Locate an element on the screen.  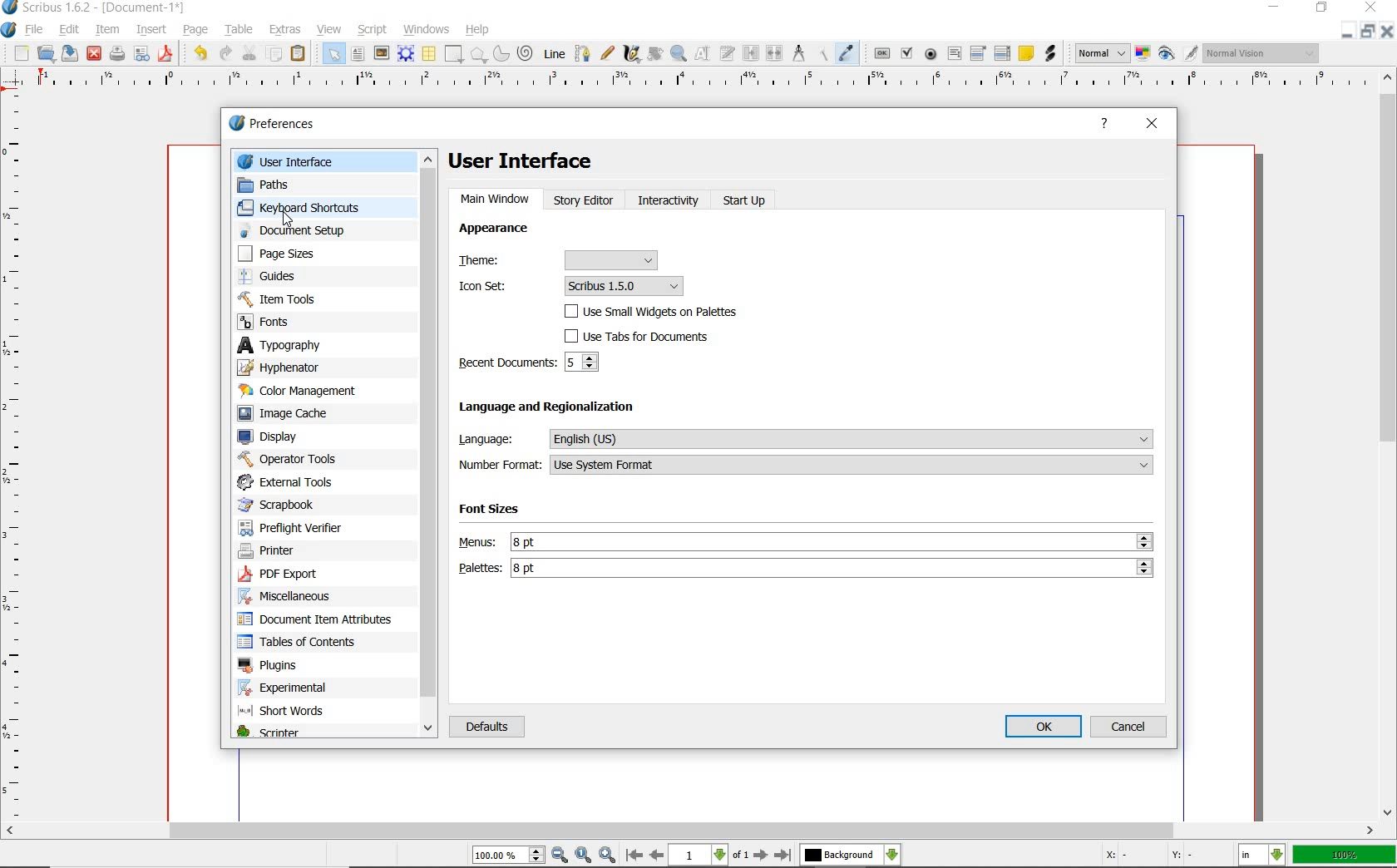
scrollbar is located at coordinates (431, 445).